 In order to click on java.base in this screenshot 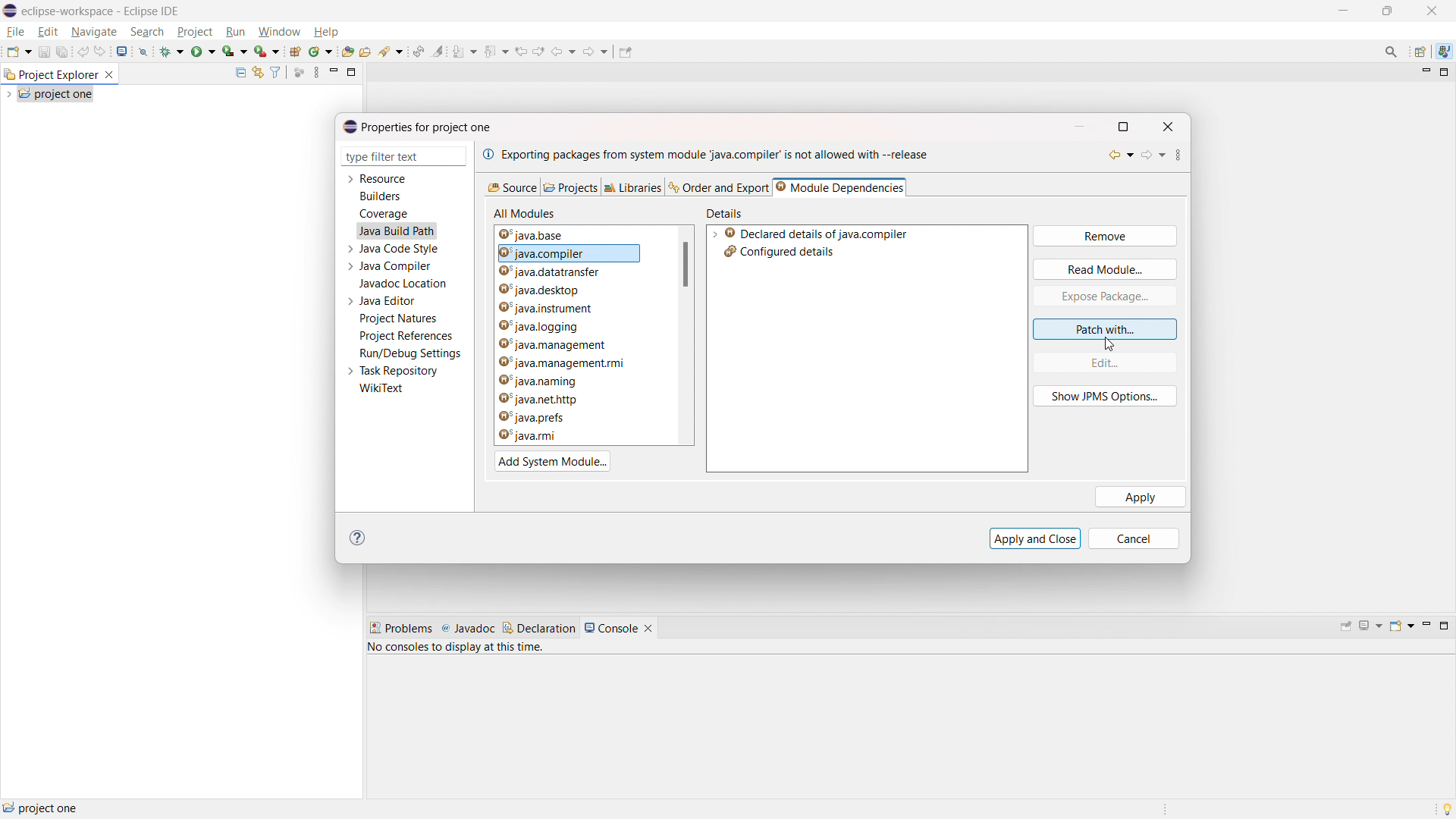, I will do `click(585, 234)`.